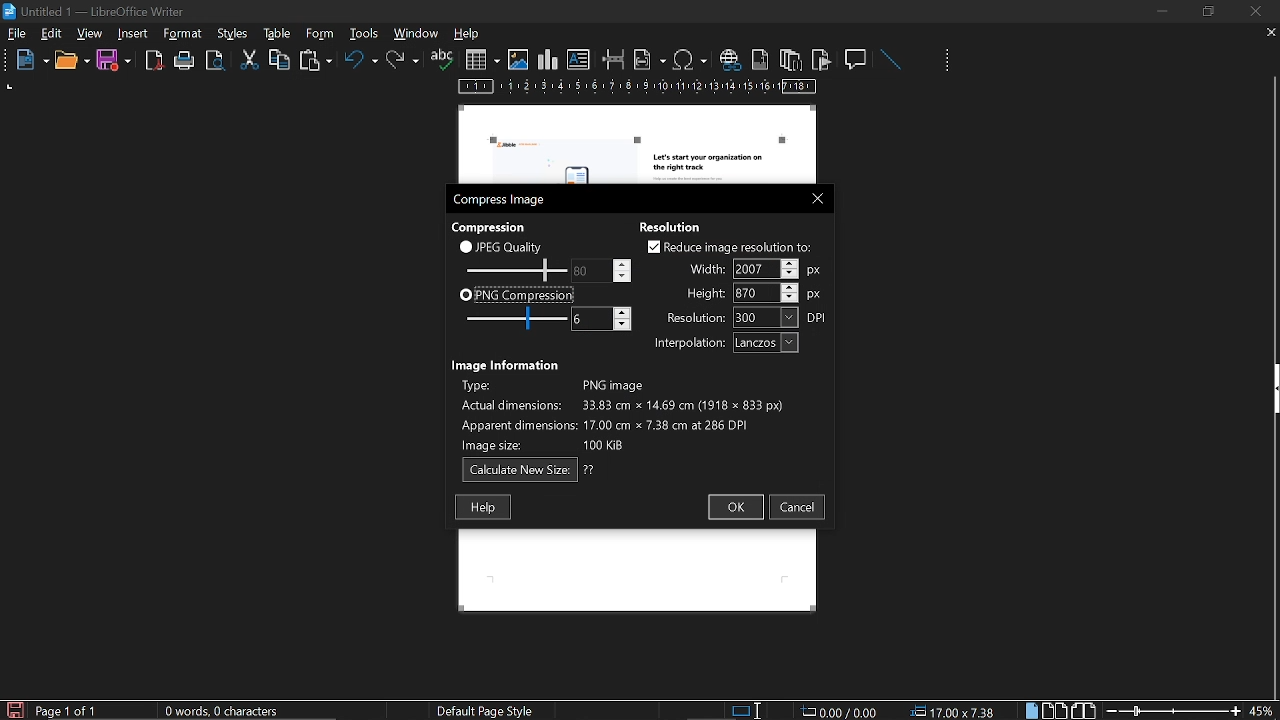 This screenshot has width=1280, height=720. What do you see at coordinates (638, 88) in the screenshot?
I see `scale` at bounding box center [638, 88].